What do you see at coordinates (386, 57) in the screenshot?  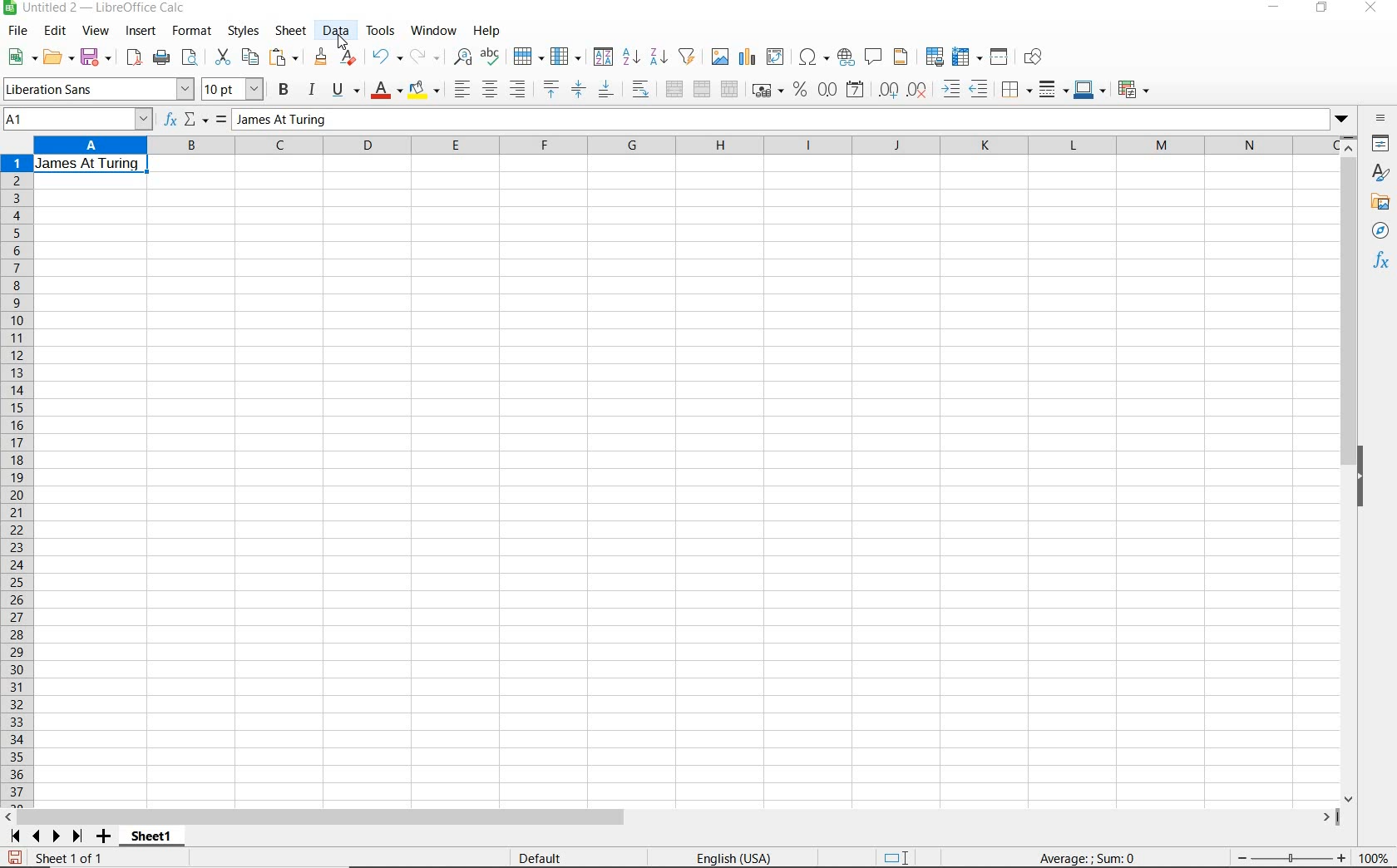 I see `undo` at bounding box center [386, 57].